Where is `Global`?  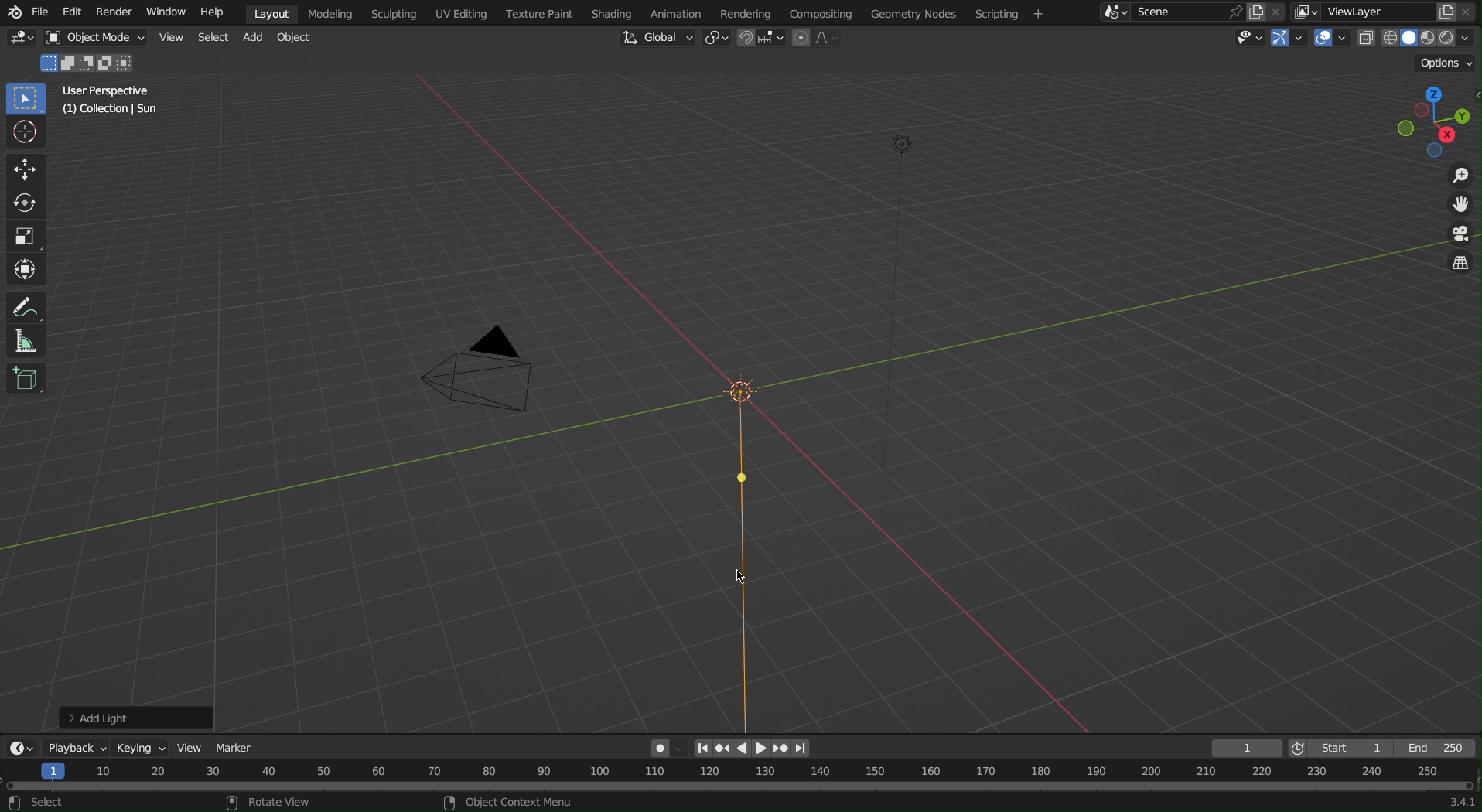
Global is located at coordinates (657, 37).